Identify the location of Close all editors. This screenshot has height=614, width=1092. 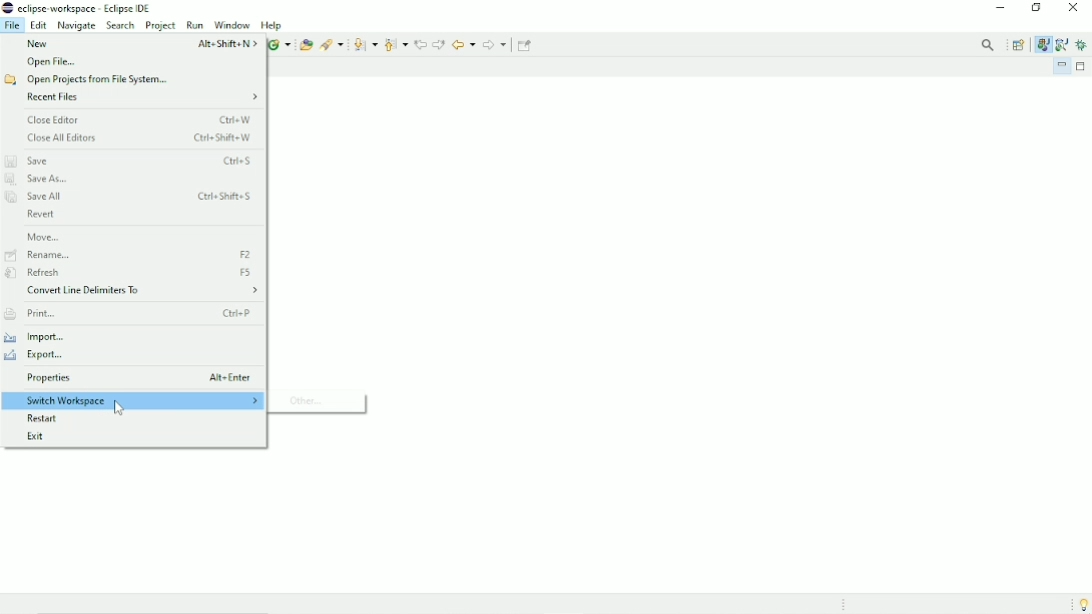
(141, 139).